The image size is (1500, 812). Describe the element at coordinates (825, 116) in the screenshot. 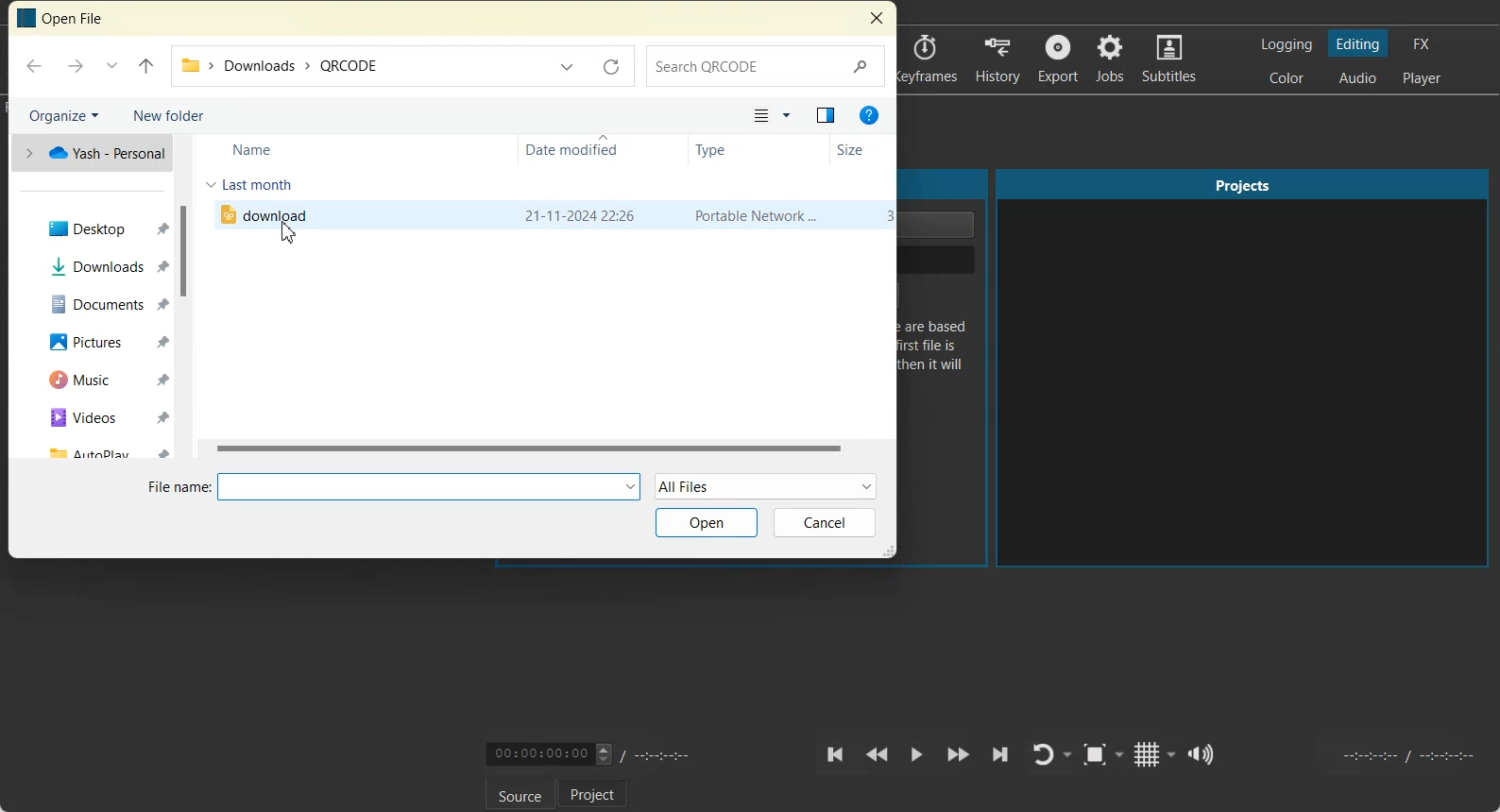

I see `Show the preview pane` at that location.